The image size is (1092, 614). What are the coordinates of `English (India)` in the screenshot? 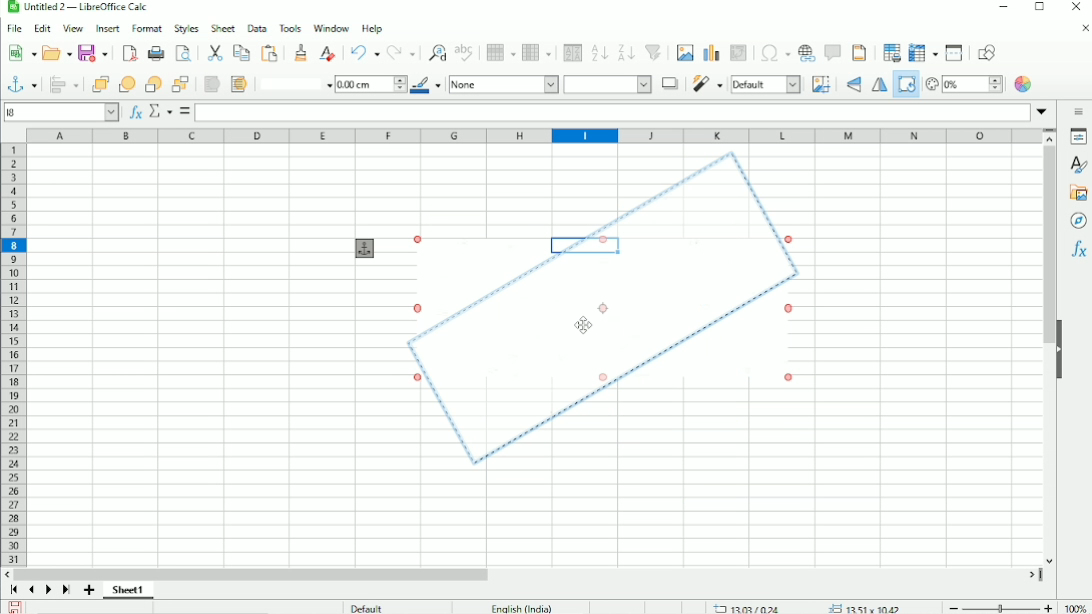 It's located at (520, 607).